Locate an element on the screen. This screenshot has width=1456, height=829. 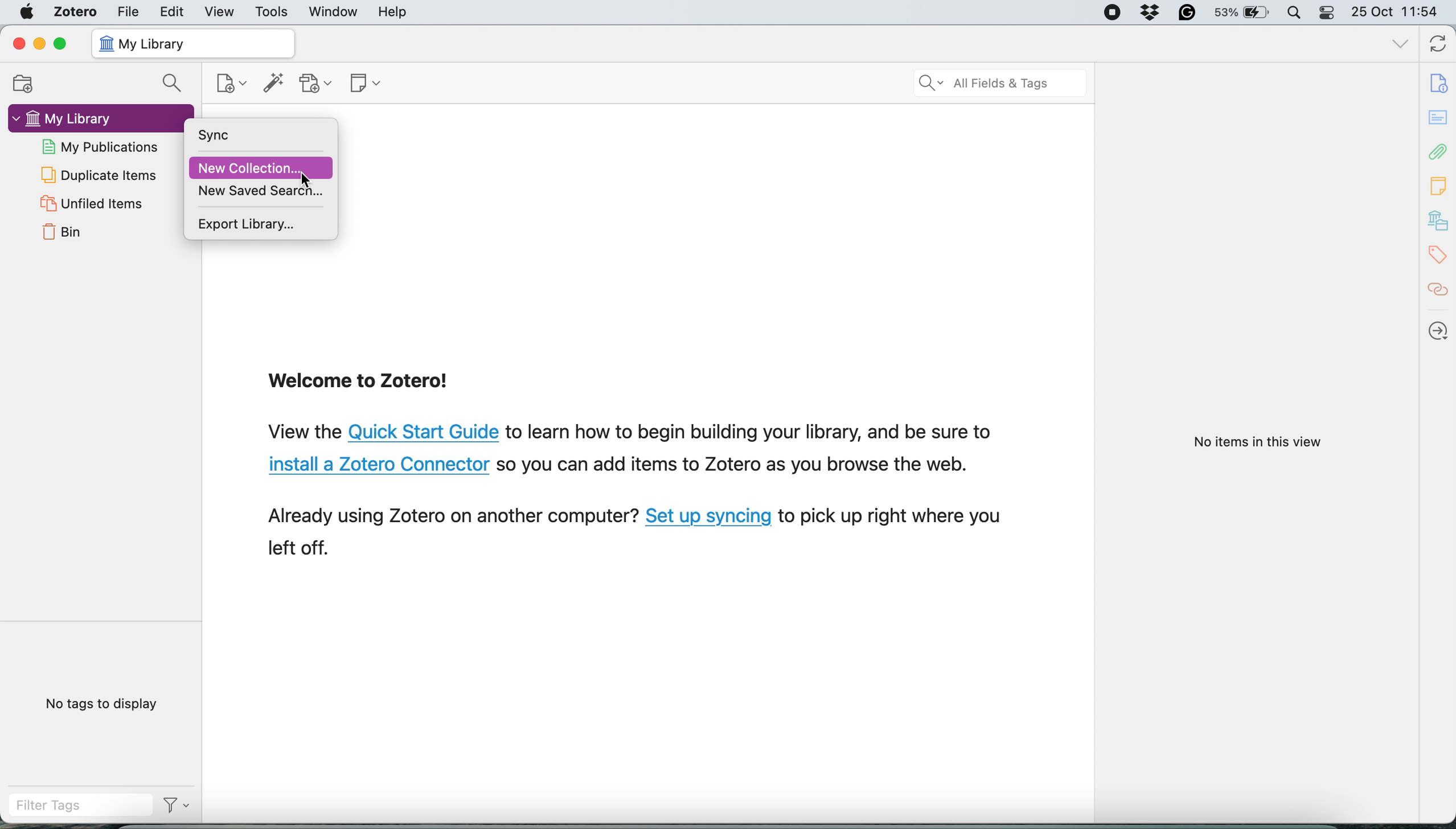
add attachment is located at coordinates (315, 83).